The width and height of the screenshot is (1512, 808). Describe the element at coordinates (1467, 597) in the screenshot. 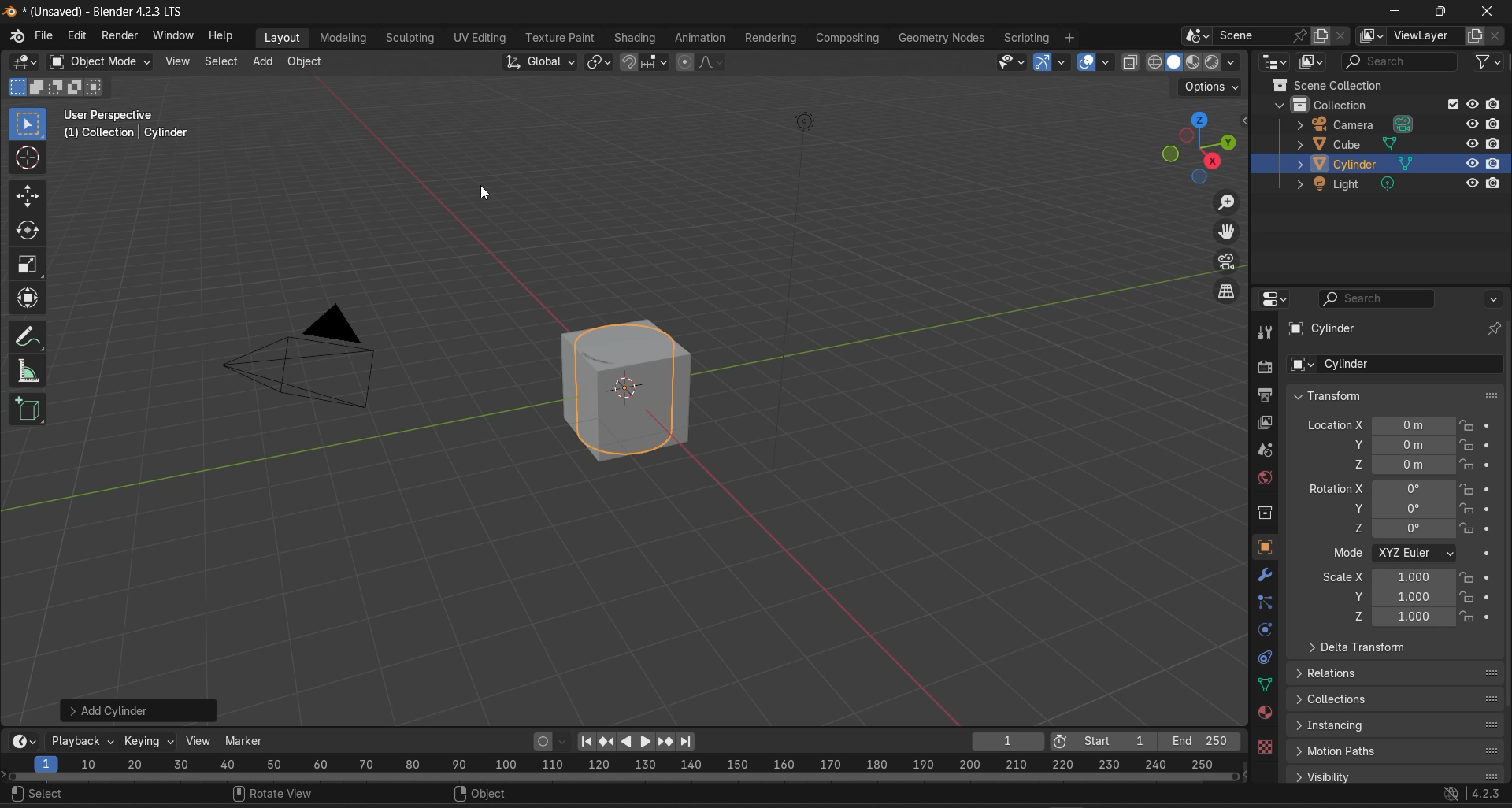

I see `lock scale` at that location.